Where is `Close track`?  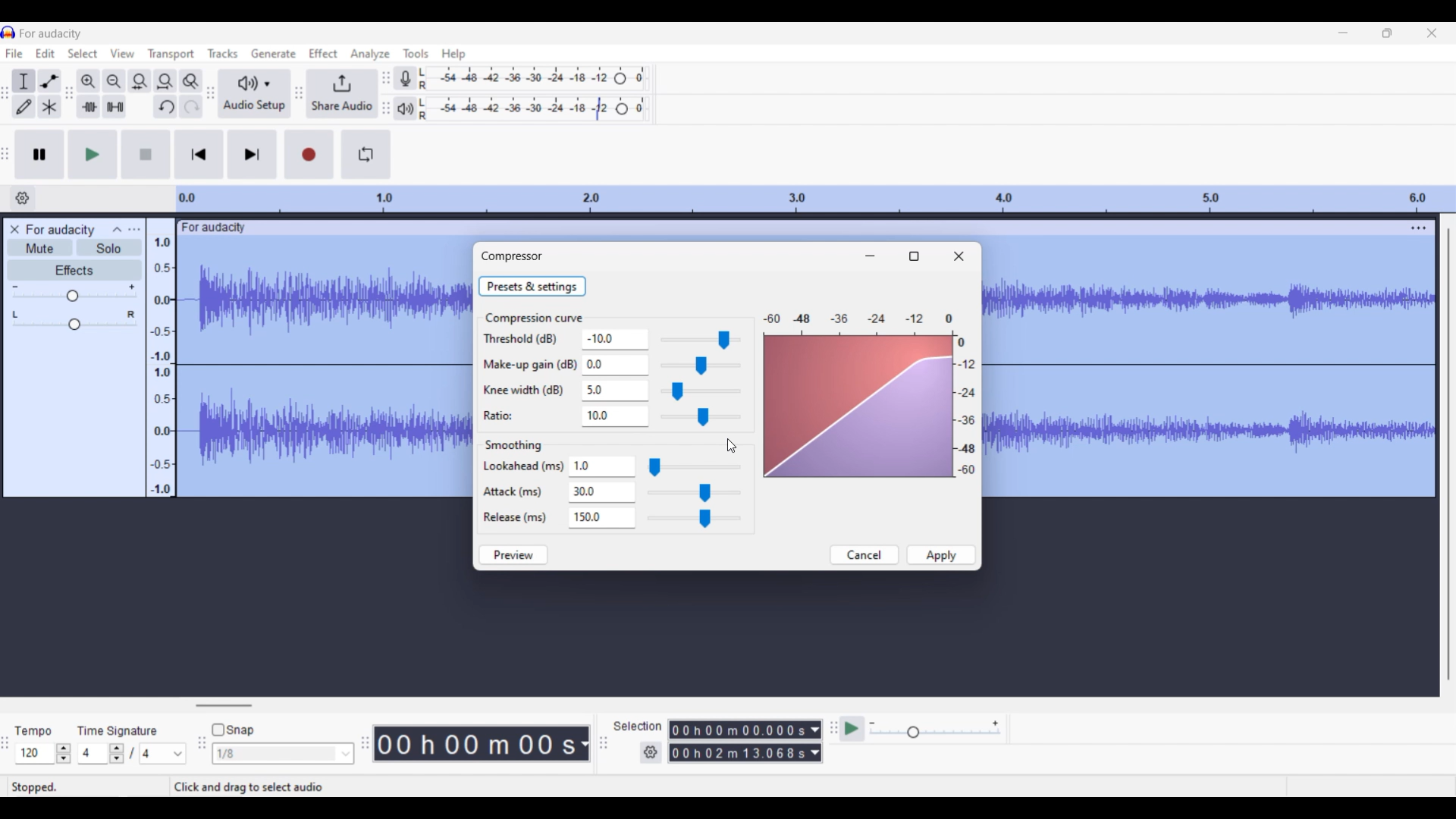
Close track is located at coordinates (14, 229).